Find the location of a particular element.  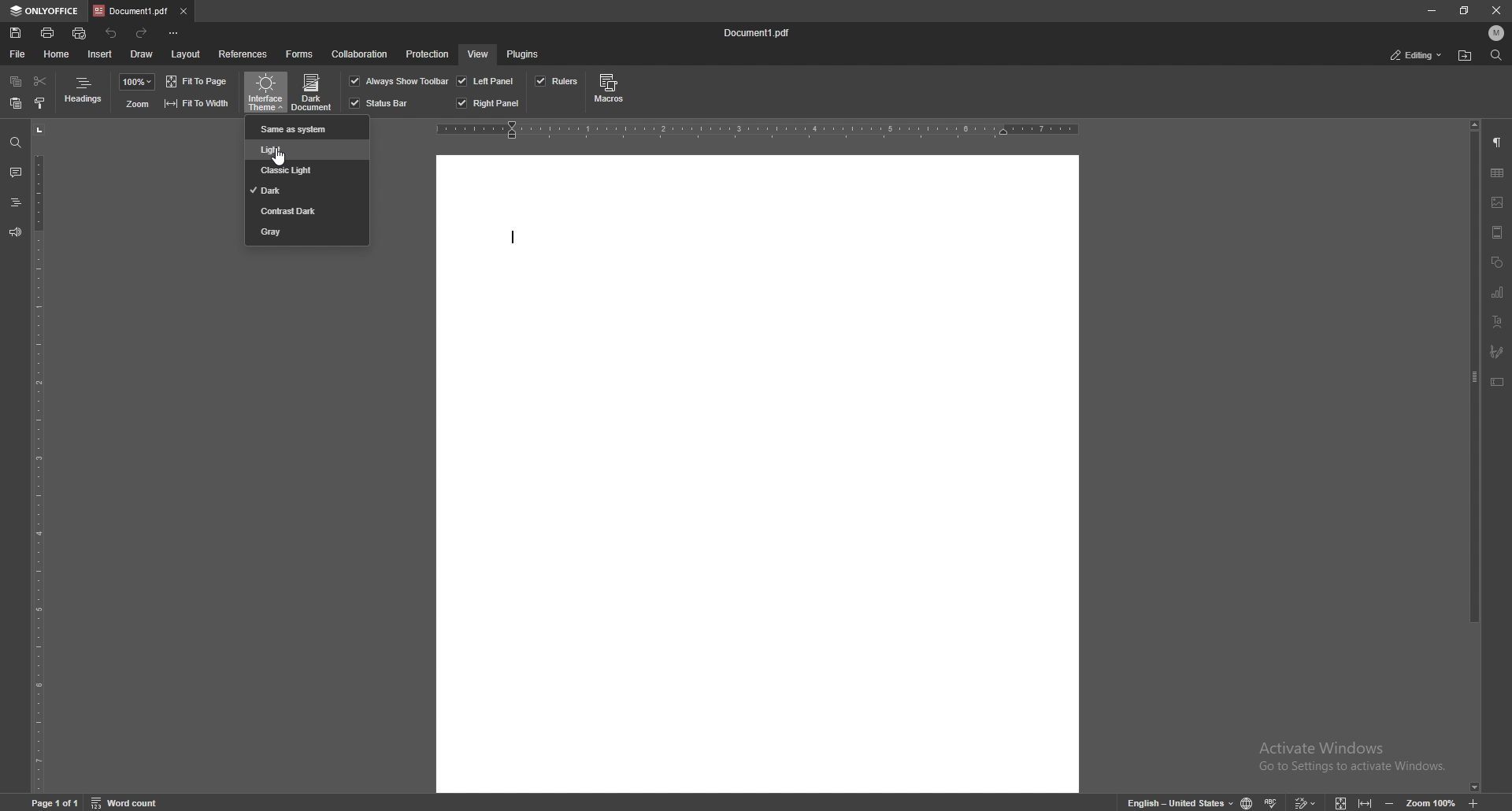

dark is located at coordinates (307, 191).